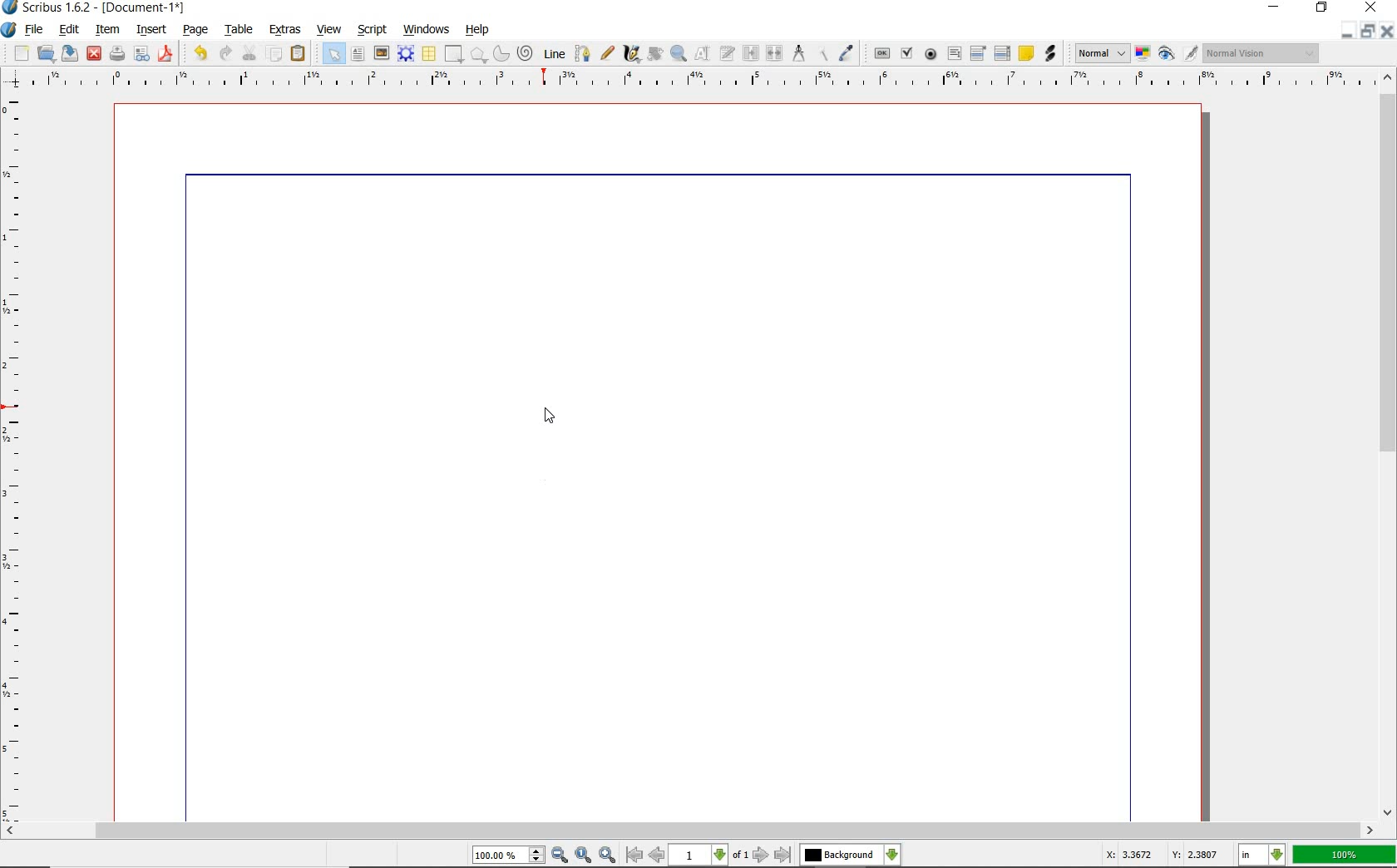  What do you see at coordinates (381, 54) in the screenshot?
I see `image frame` at bounding box center [381, 54].